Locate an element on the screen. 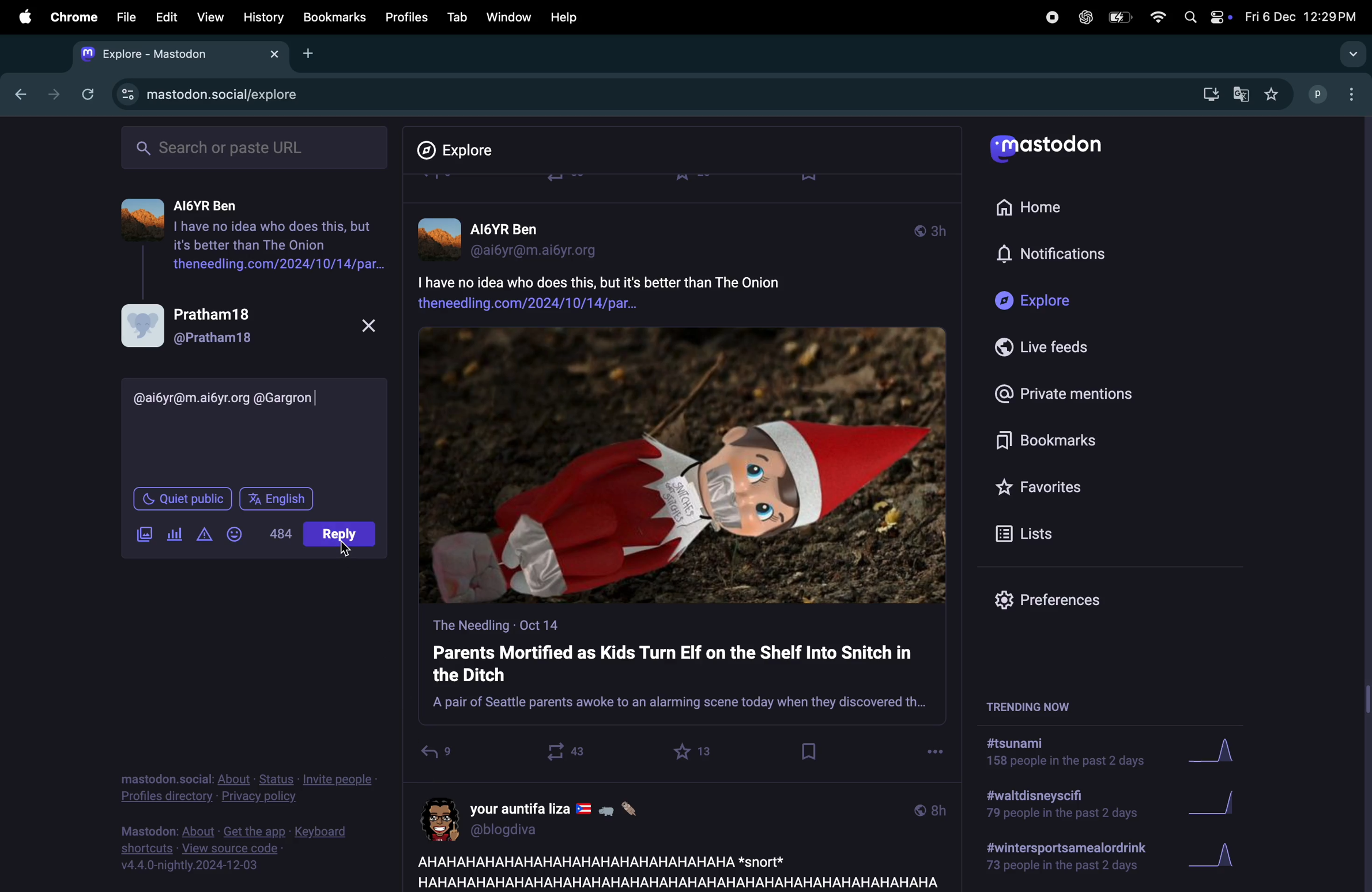 This screenshot has width=1372, height=892. Favourites is located at coordinates (1042, 486).